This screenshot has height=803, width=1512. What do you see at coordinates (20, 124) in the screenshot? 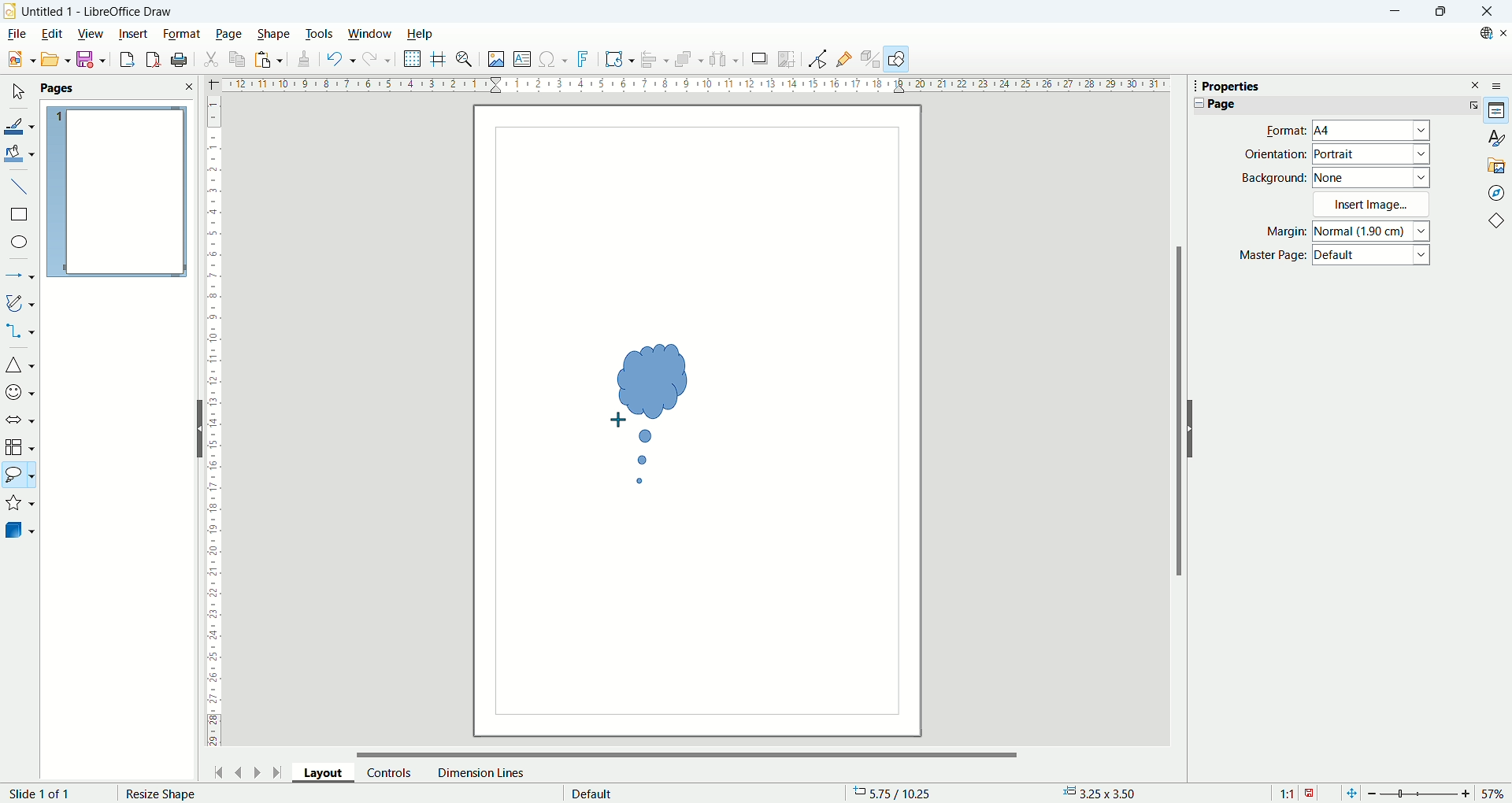
I see `line color` at bounding box center [20, 124].